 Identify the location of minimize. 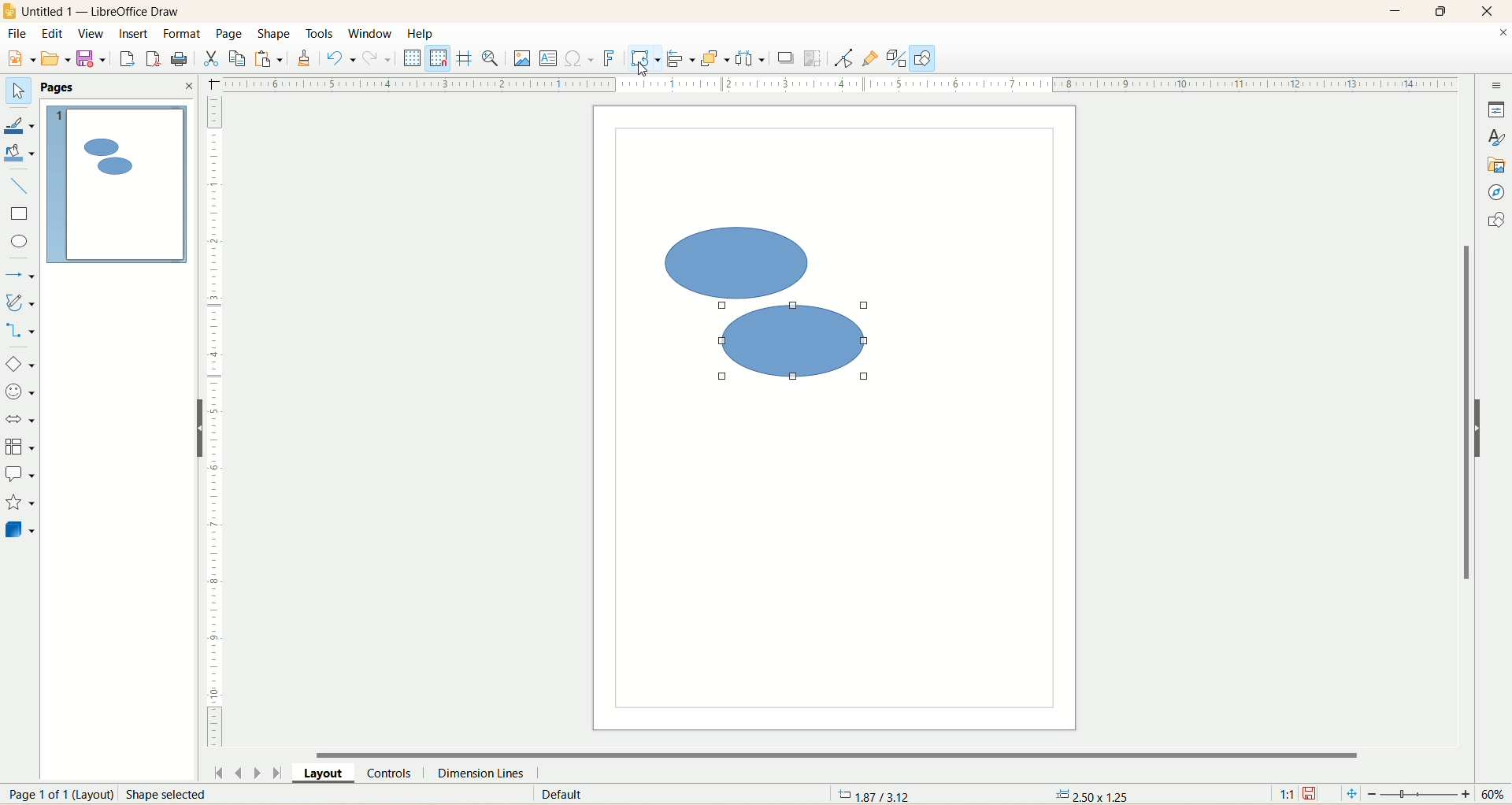
(1399, 9).